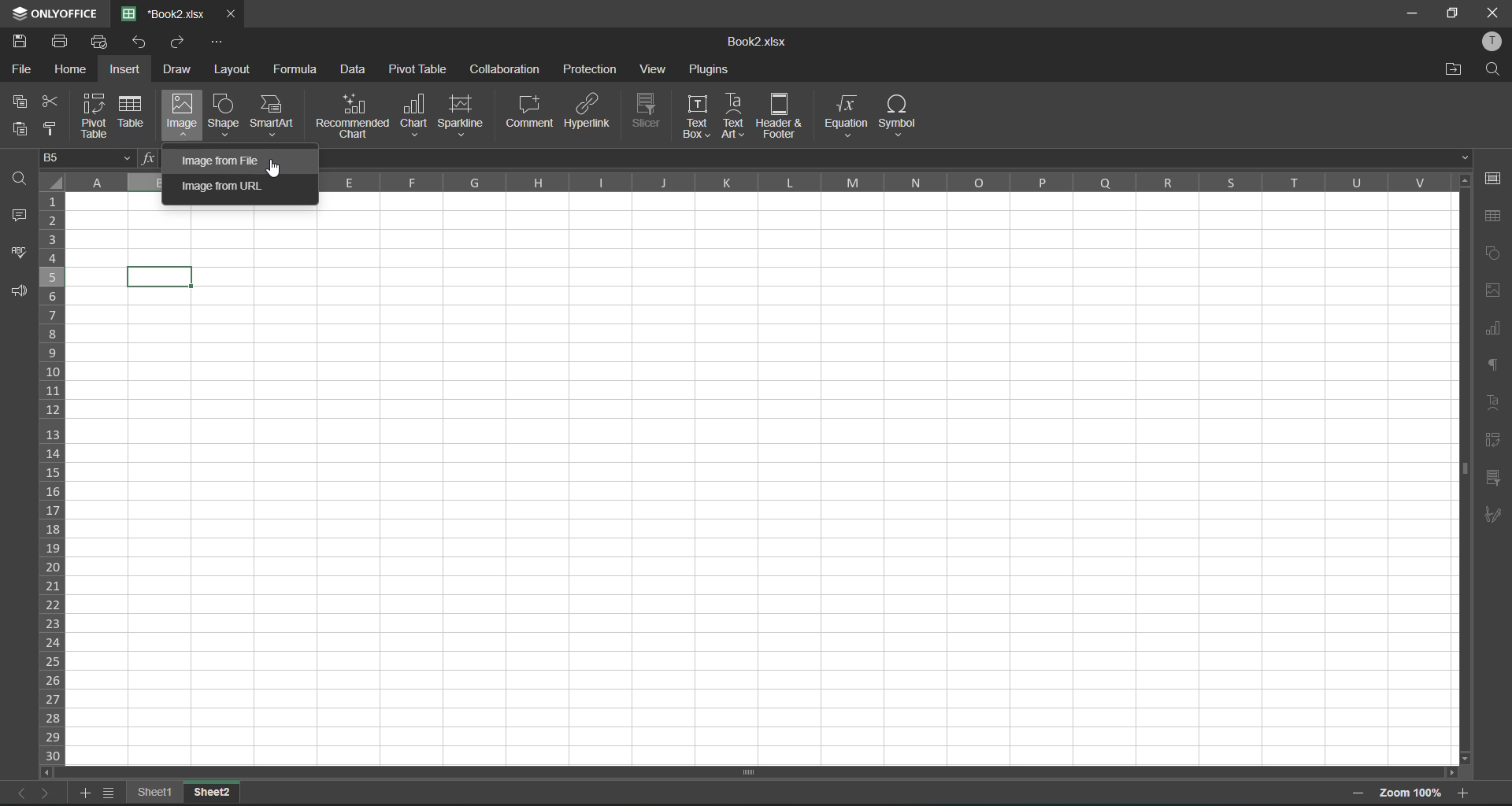  I want to click on print, so click(65, 42).